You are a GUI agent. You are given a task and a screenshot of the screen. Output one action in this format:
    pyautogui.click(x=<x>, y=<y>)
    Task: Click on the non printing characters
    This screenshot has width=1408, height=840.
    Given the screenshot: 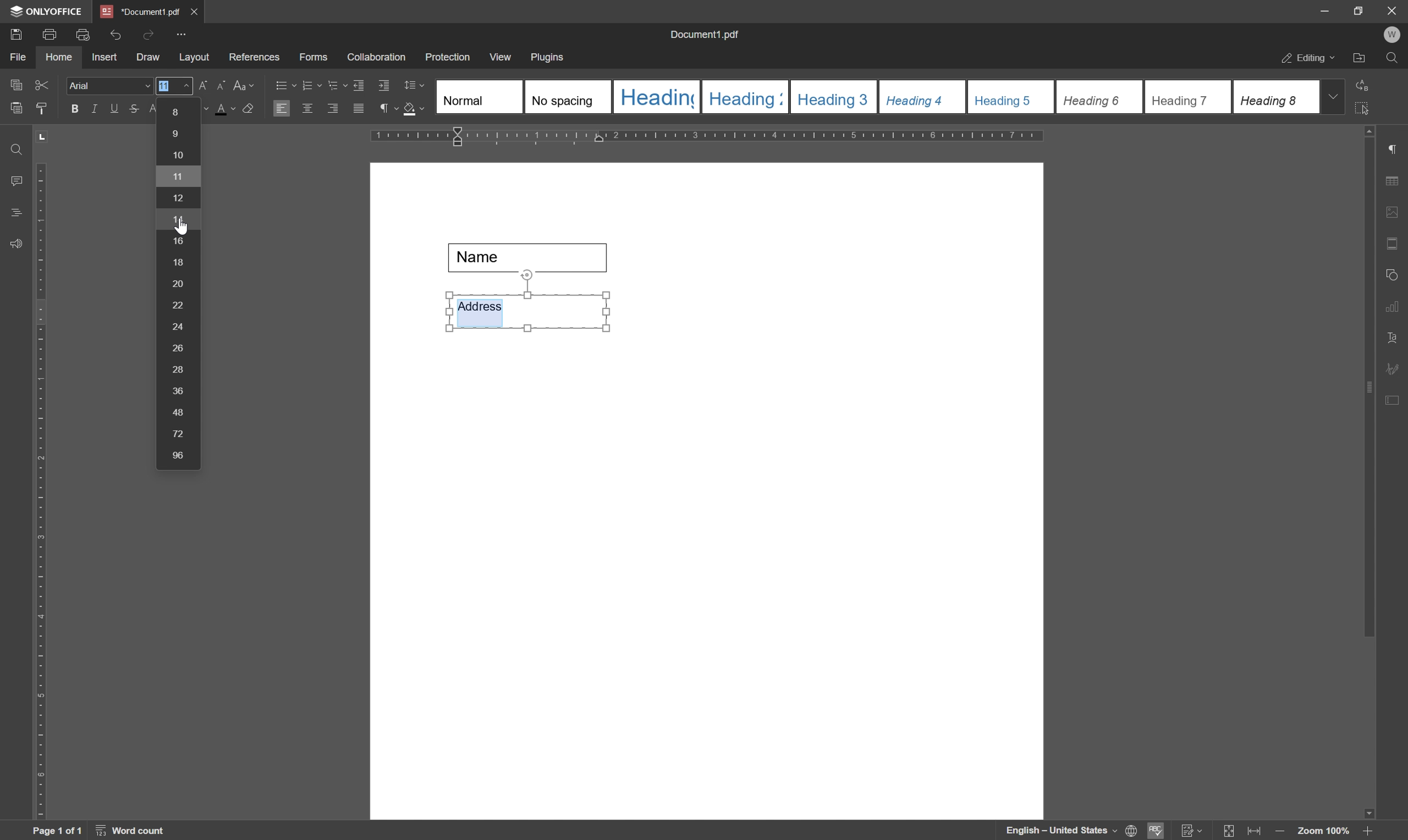 What is the action you would take?
    pyautogui.click(x=387, y=110)
    